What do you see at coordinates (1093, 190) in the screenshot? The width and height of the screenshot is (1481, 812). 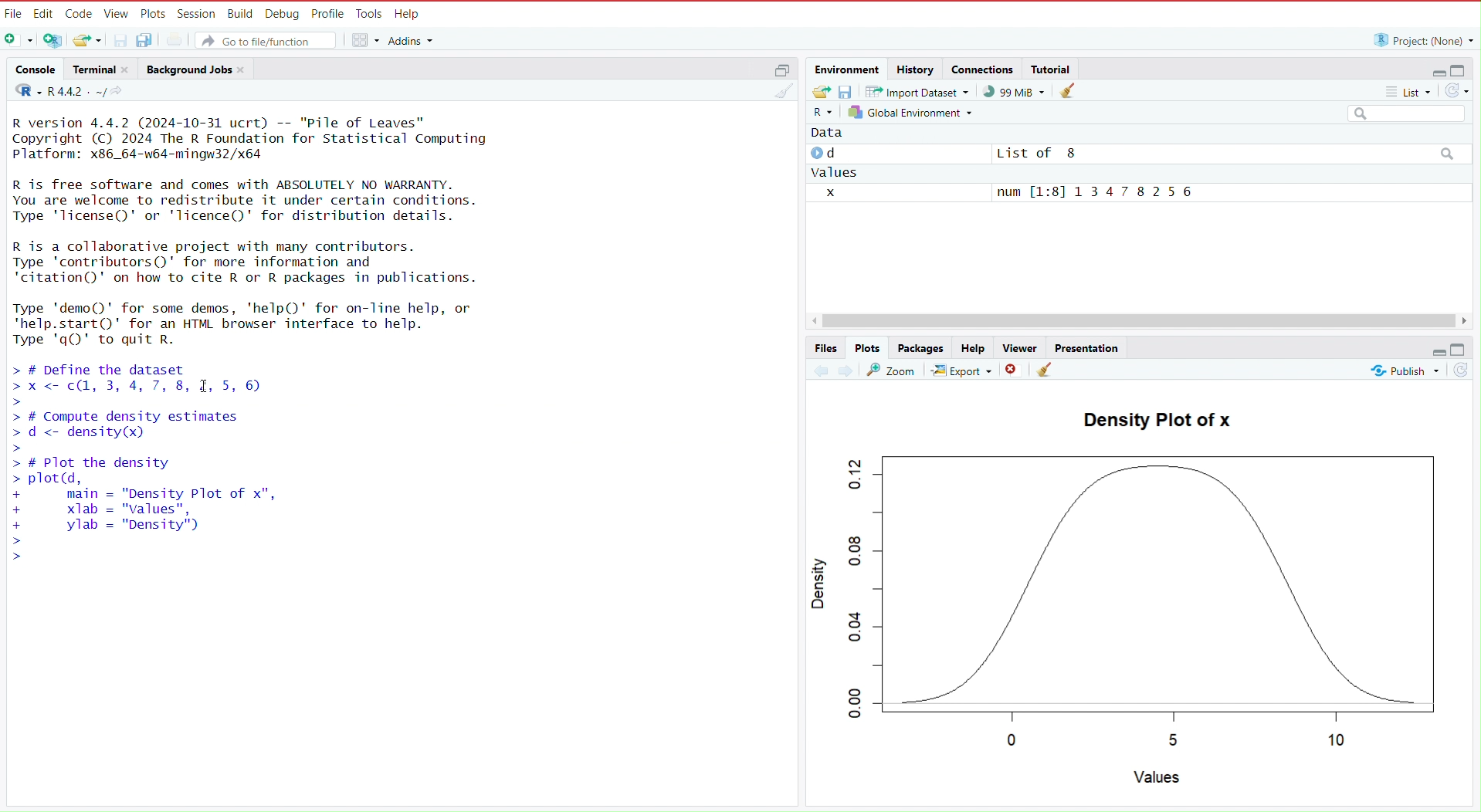 I see `num [1:8] 1 3 4 7 8 2 5 6` at bounding box center [1093, 190].